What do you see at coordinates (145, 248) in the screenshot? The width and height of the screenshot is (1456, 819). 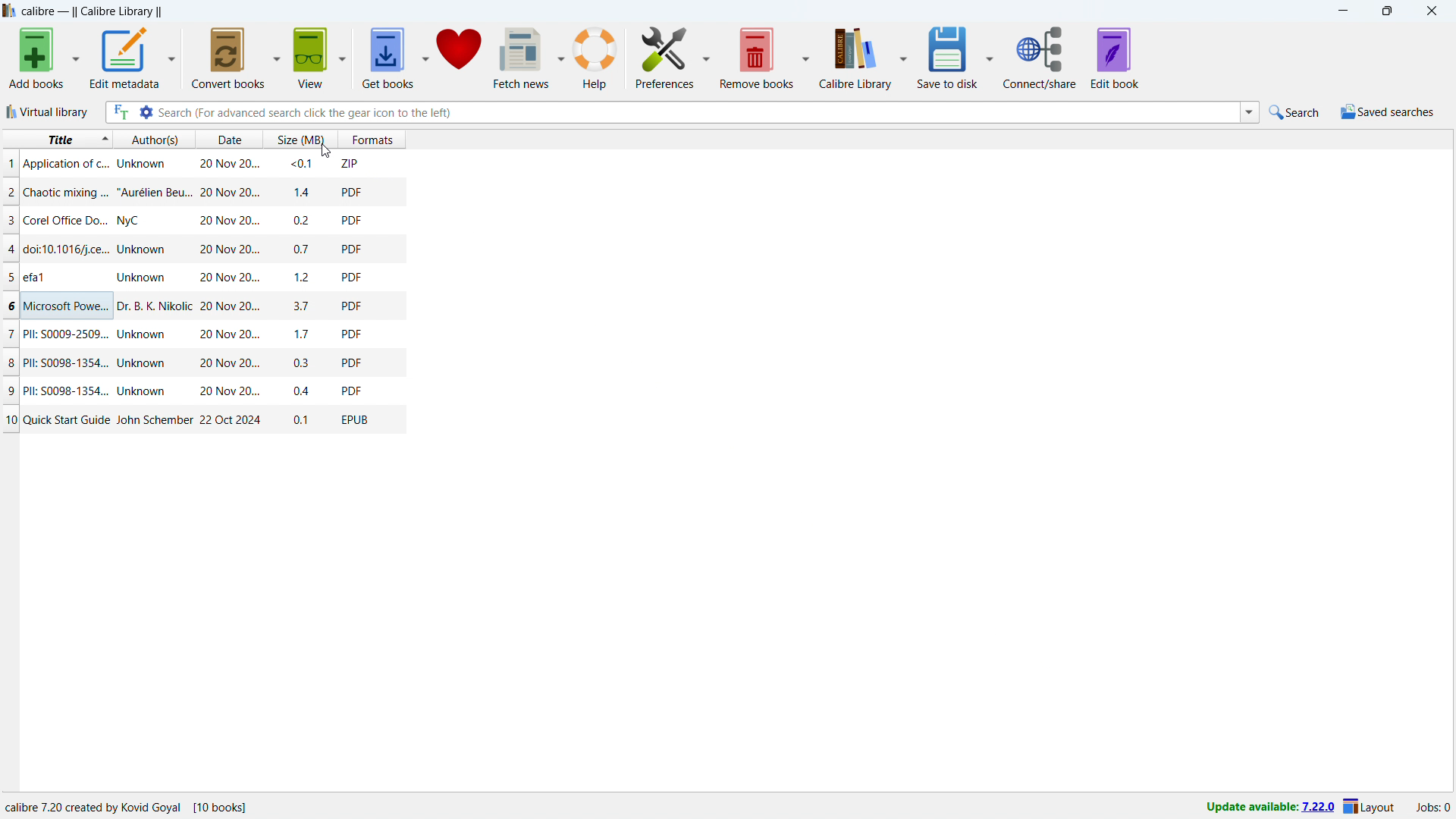 I see `author` at bounding box center [145, 248].